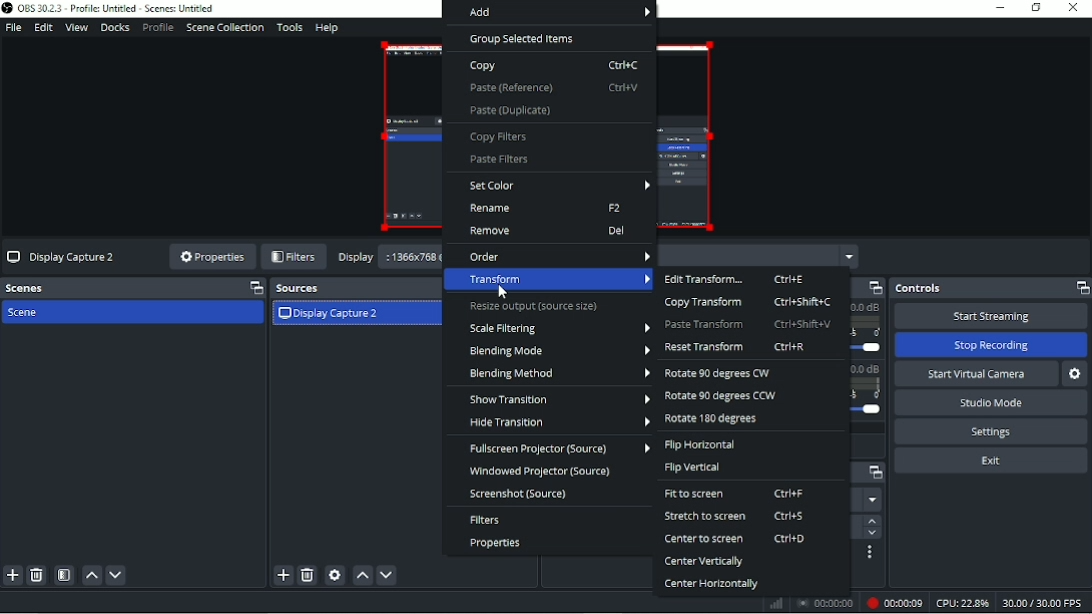 The width and height of the screenshot is (1092, 614). Describe the element at coordinates (825, 602) in the screenshot. I see `Stop recording` at that location.